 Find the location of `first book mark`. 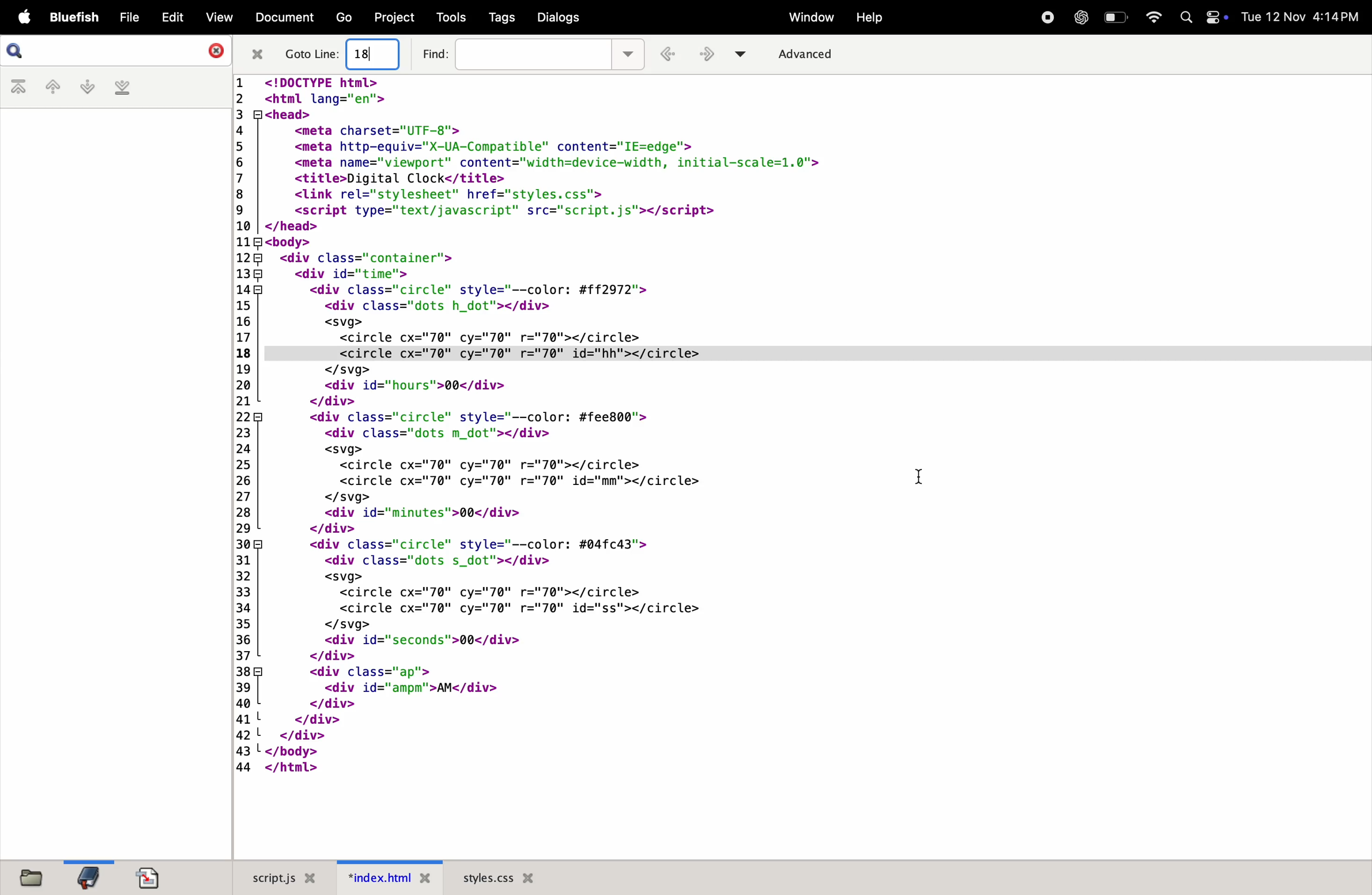

first book mark is located at coordinates (19, 88).